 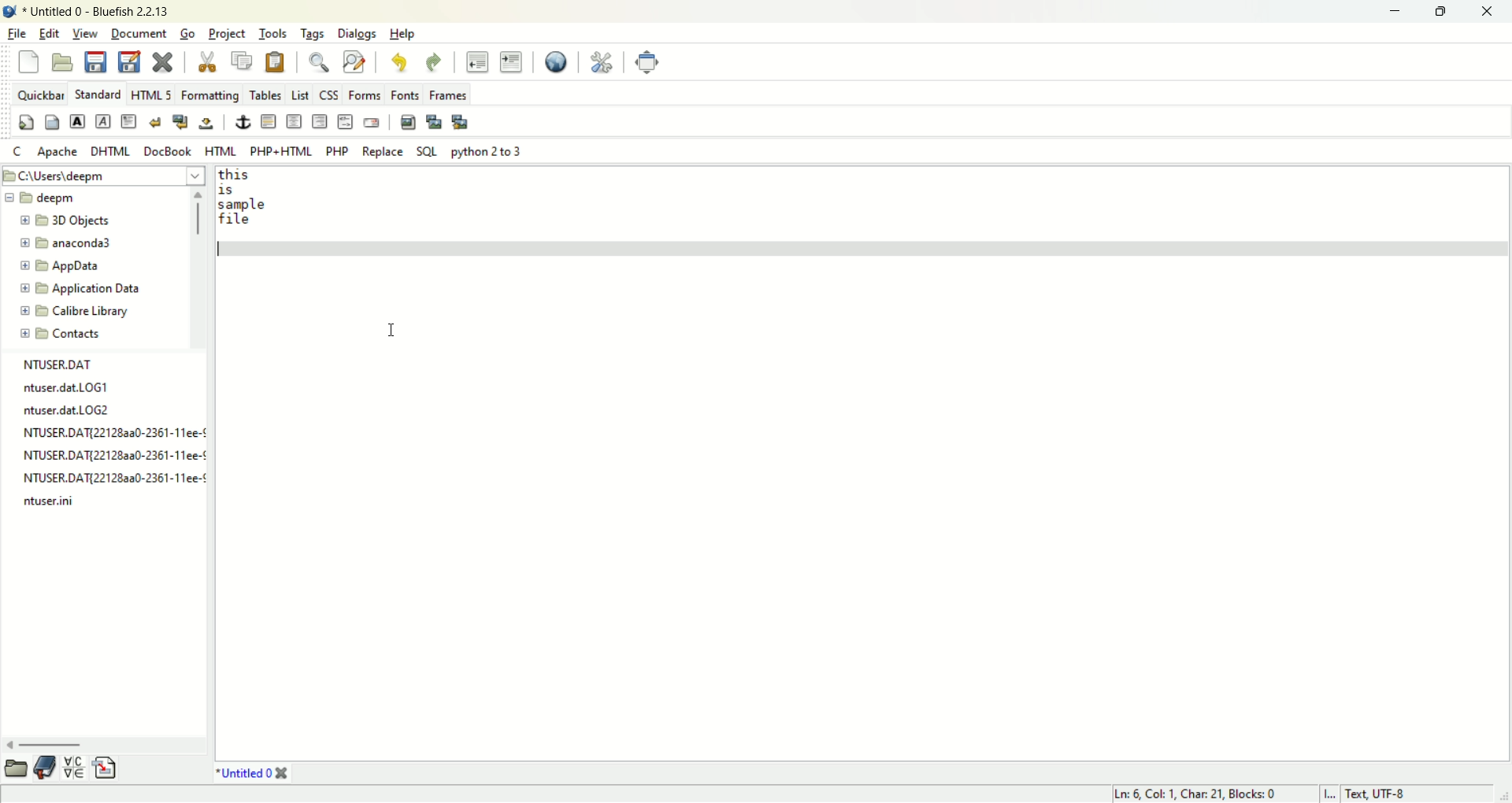 I want to click on break, so click(x=156, y=121).